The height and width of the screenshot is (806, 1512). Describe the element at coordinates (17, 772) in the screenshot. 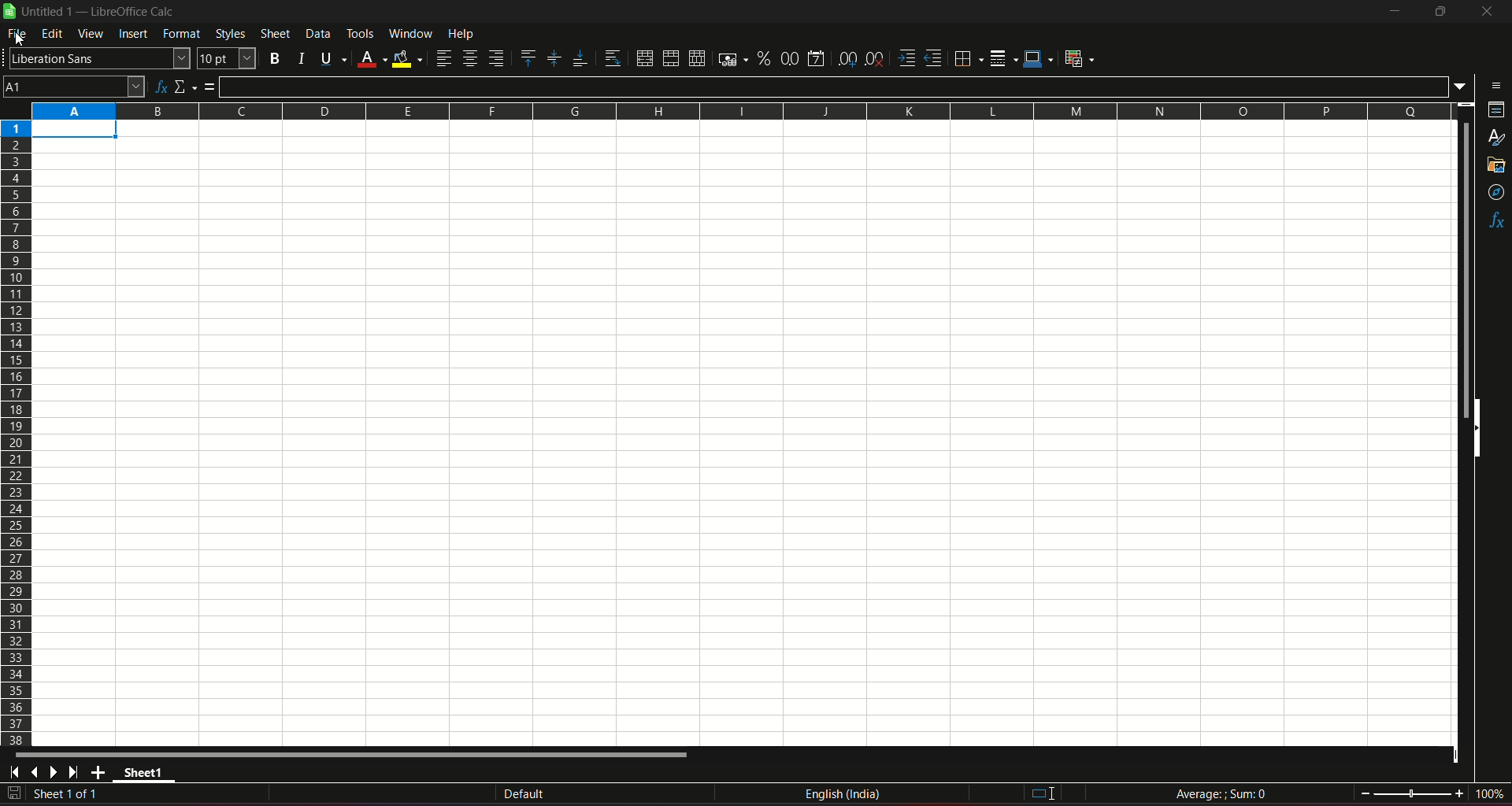

I see `first sheet` at that location.